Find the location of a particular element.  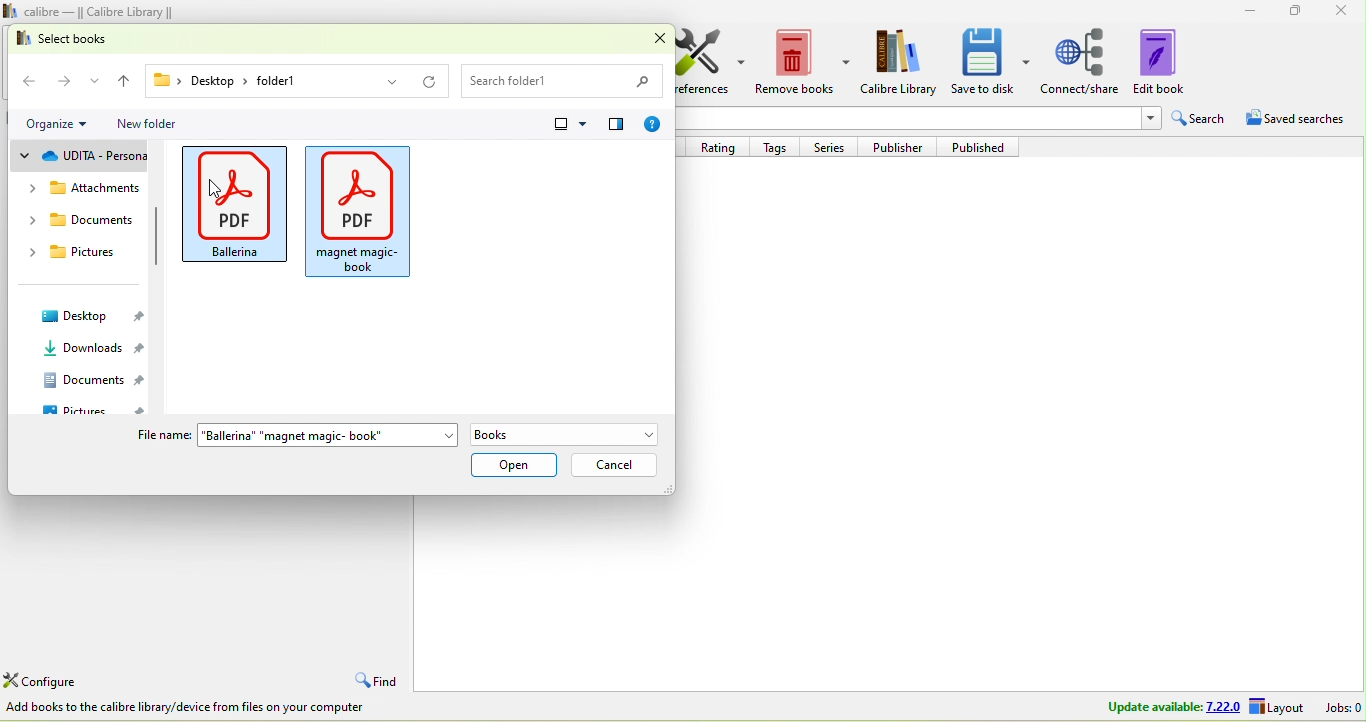

published is located at coordinates (985, 147).